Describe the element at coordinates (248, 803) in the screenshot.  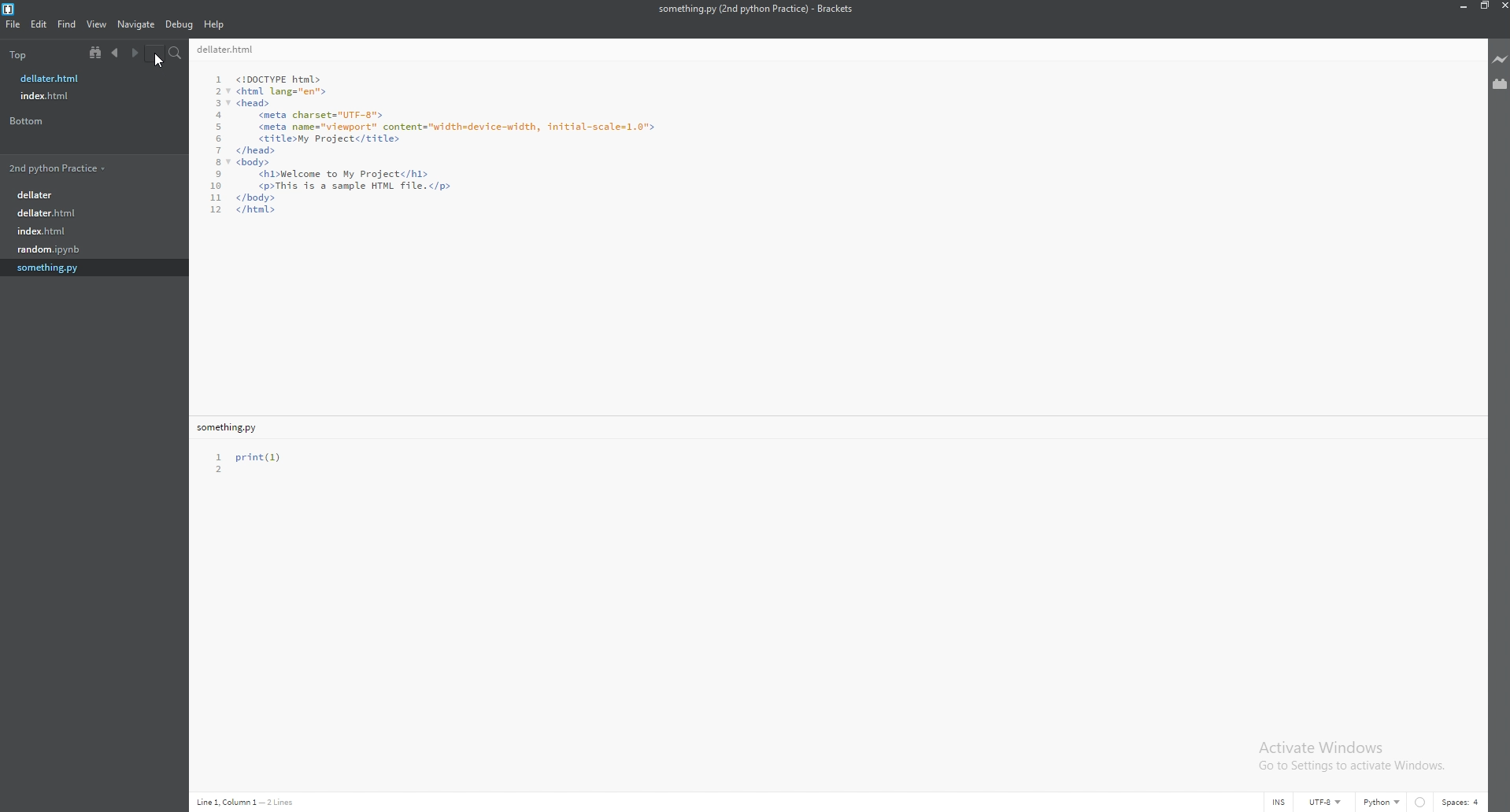
I see `navigation description` at that location.